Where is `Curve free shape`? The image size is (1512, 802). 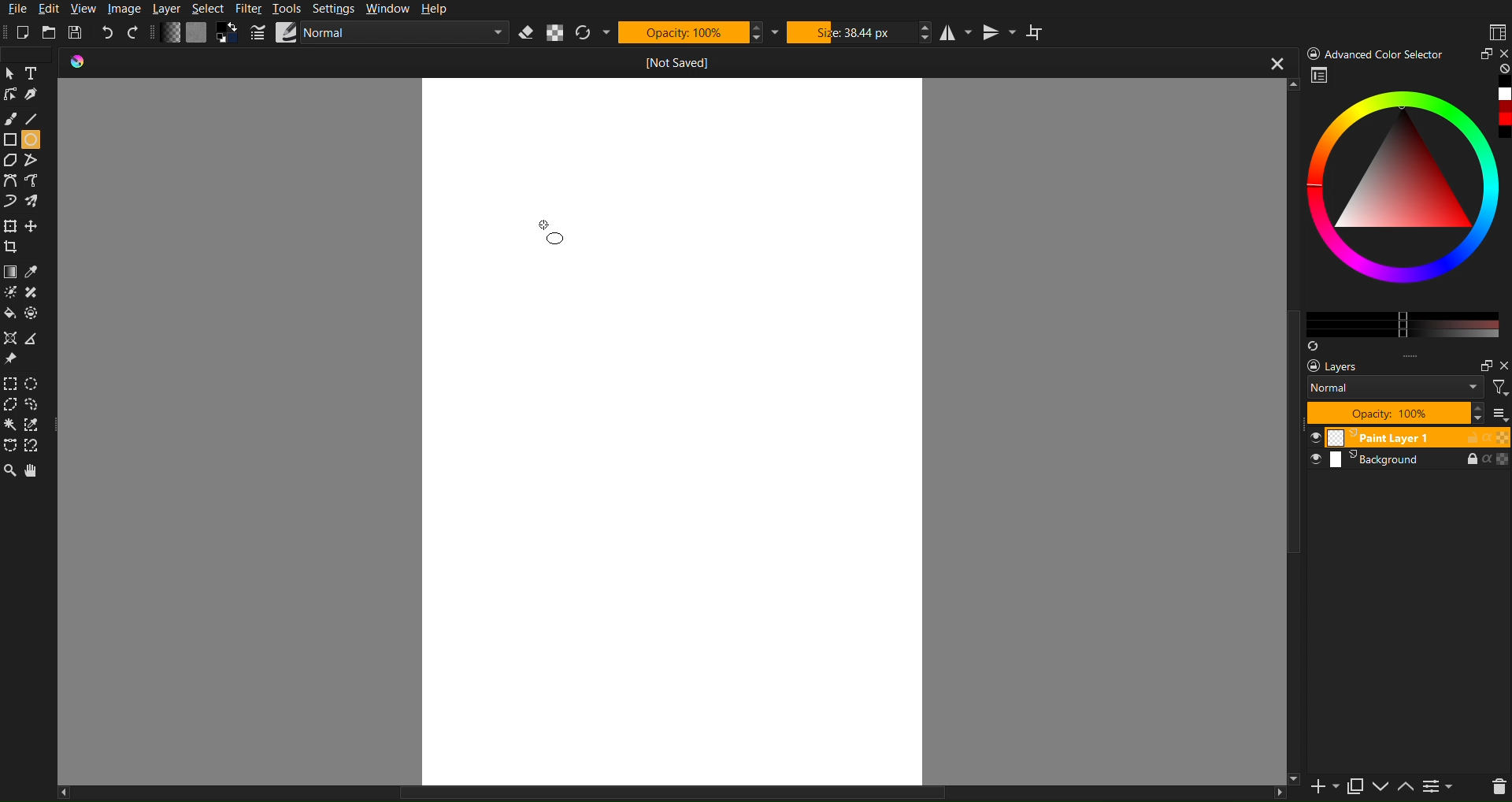
Curve free shape is located at coordinates (34, 201).